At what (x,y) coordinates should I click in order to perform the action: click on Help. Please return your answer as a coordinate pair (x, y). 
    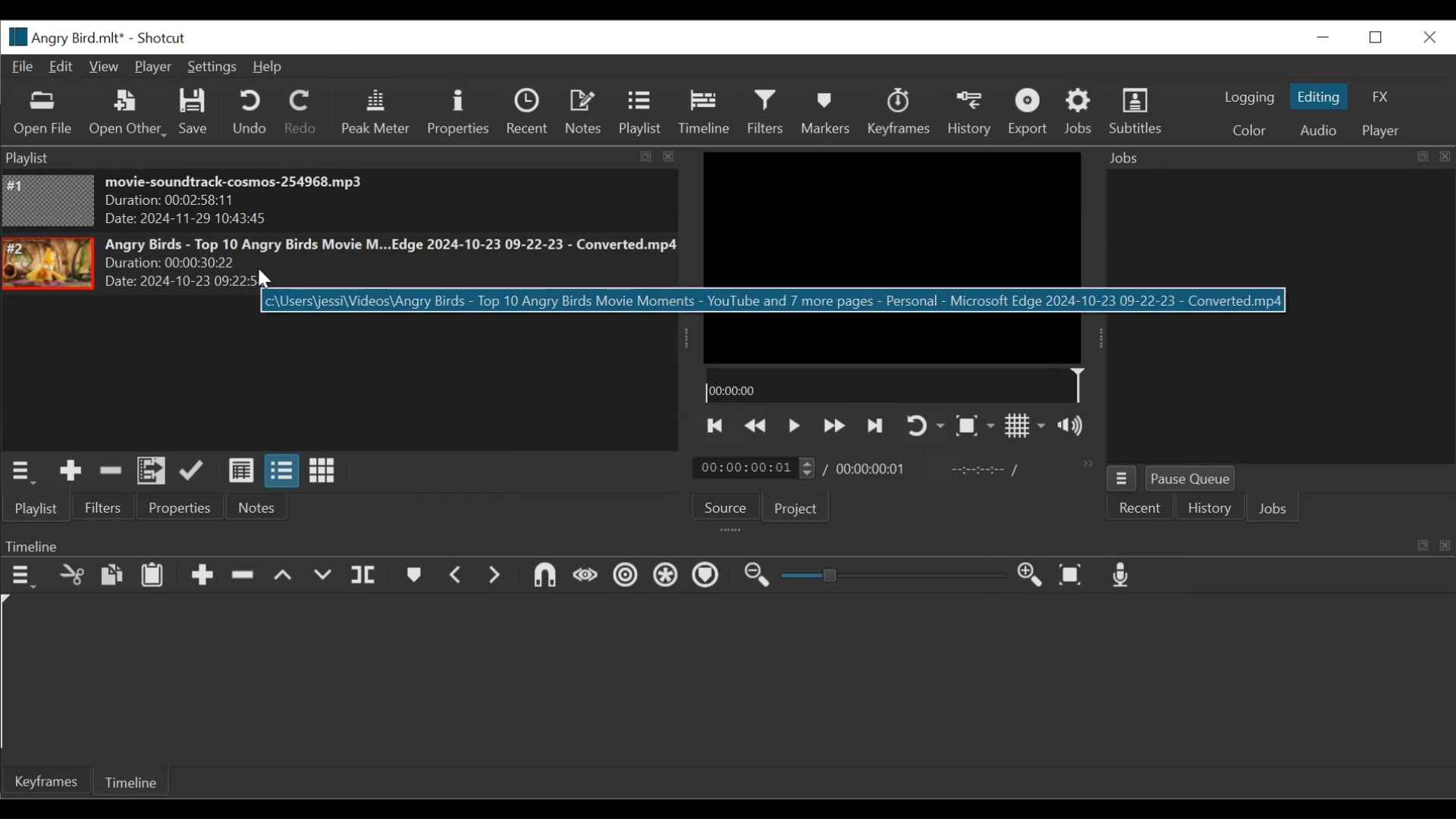
    Looking at the image, I should click on (266, 67).